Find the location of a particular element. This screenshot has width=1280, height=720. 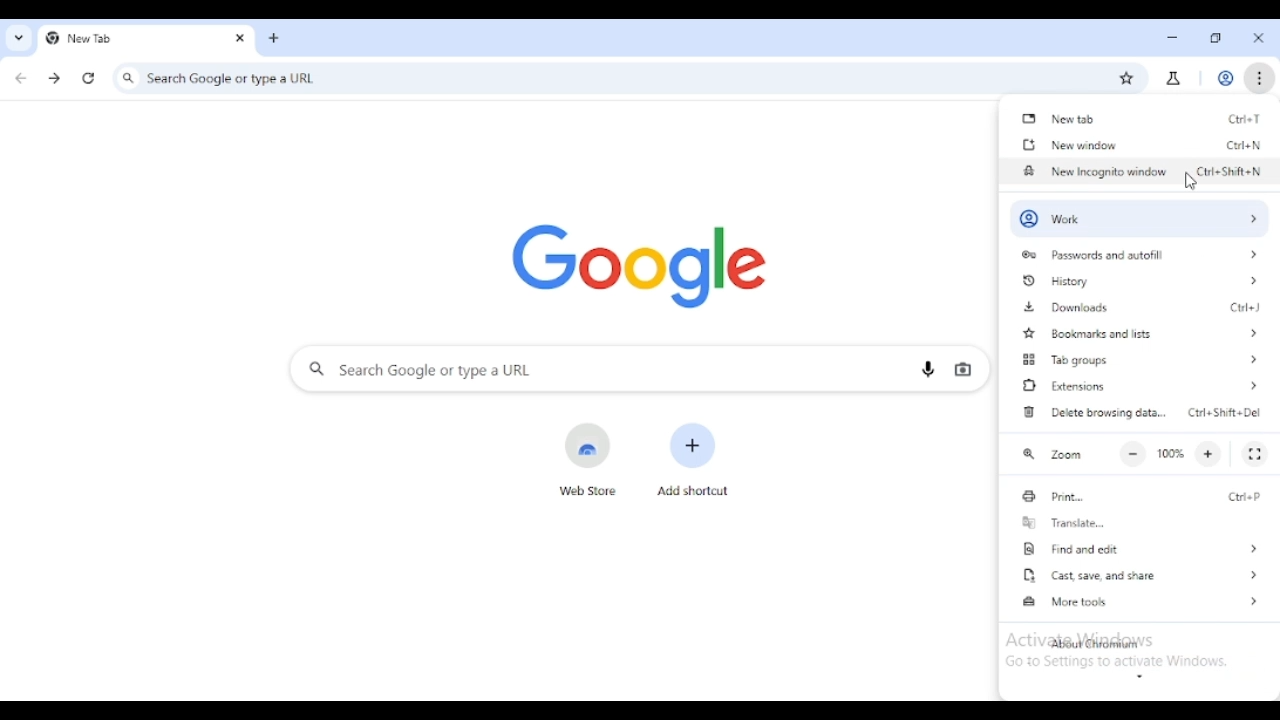

find an edit is located at coordinates (1140, 548).